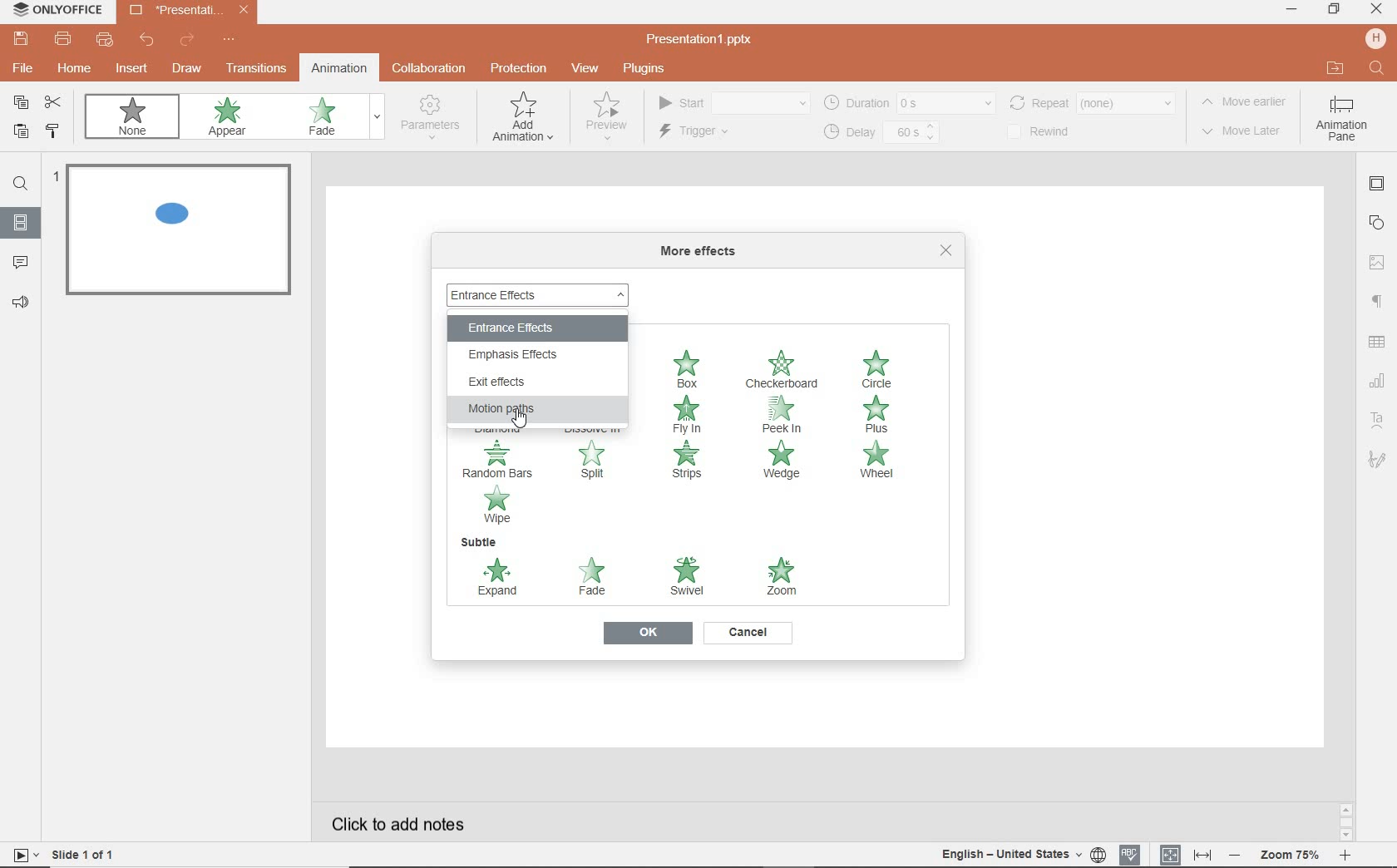 The width and height of the screenshot is (1397, 868). What do you see at coordinates (597, 466) in the screenshot?
I see `SPLIT` at bounding box center [597, 466].